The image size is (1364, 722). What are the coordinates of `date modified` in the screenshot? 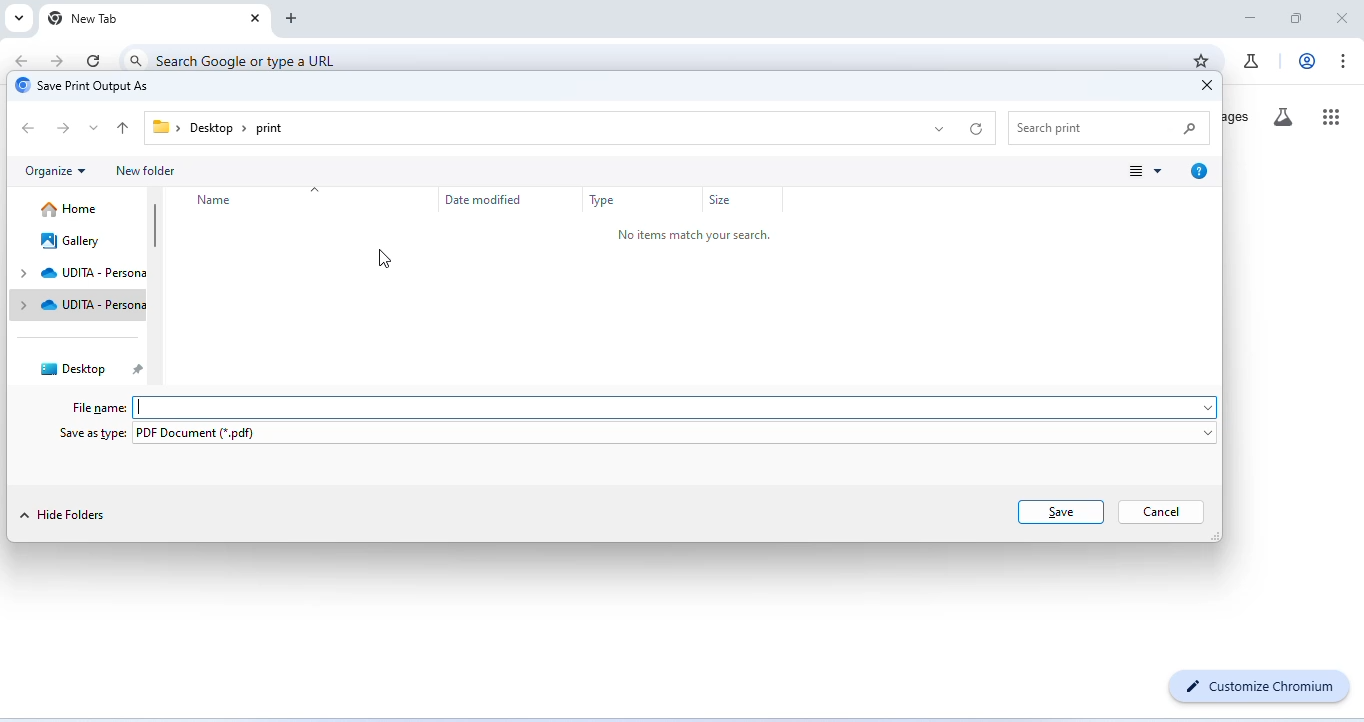 It's located at (485, 199).